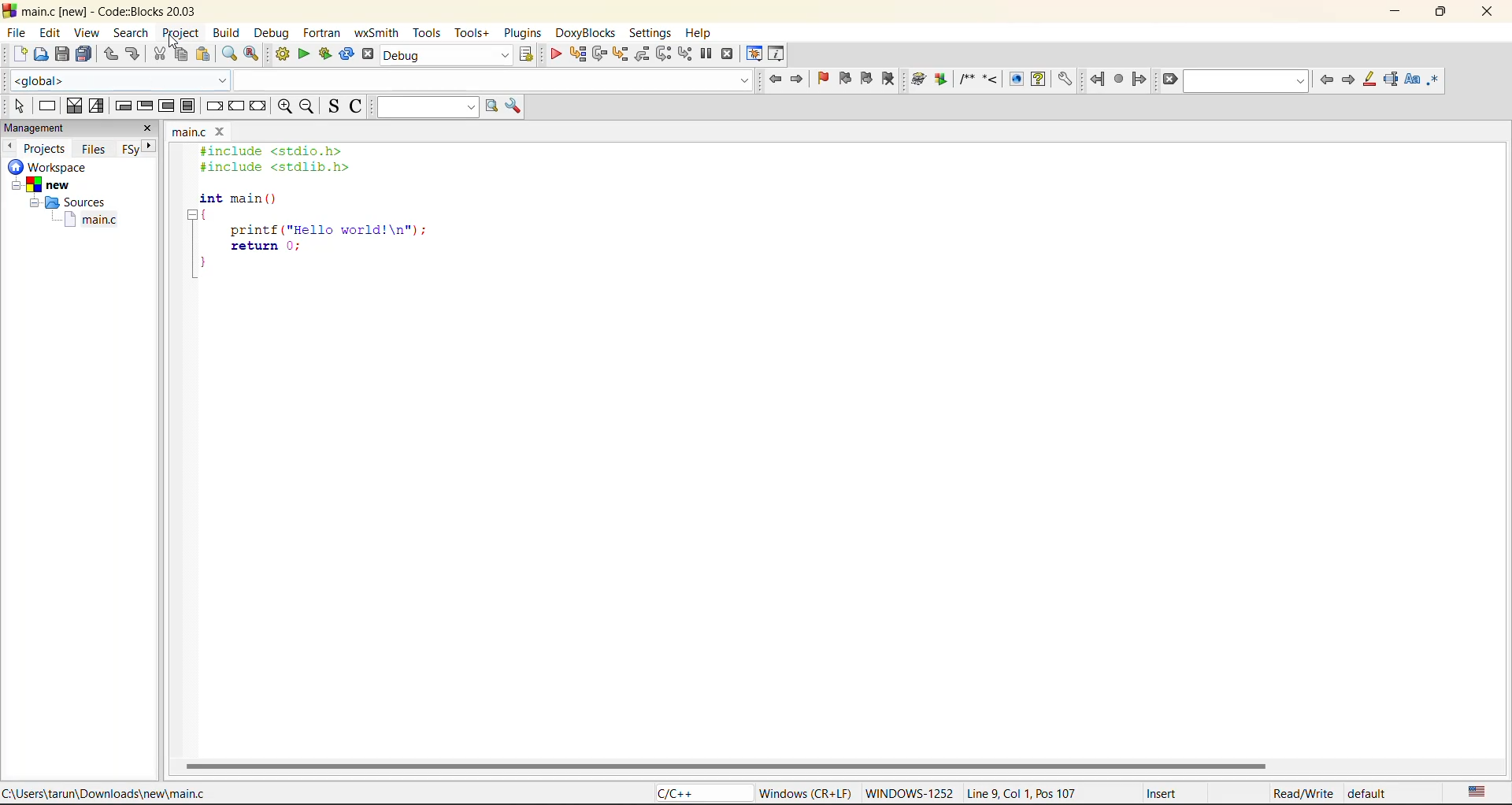 This screenshot has width=1512, height=805. I want to click on WINDOWWS-1252, so click(912, 792).